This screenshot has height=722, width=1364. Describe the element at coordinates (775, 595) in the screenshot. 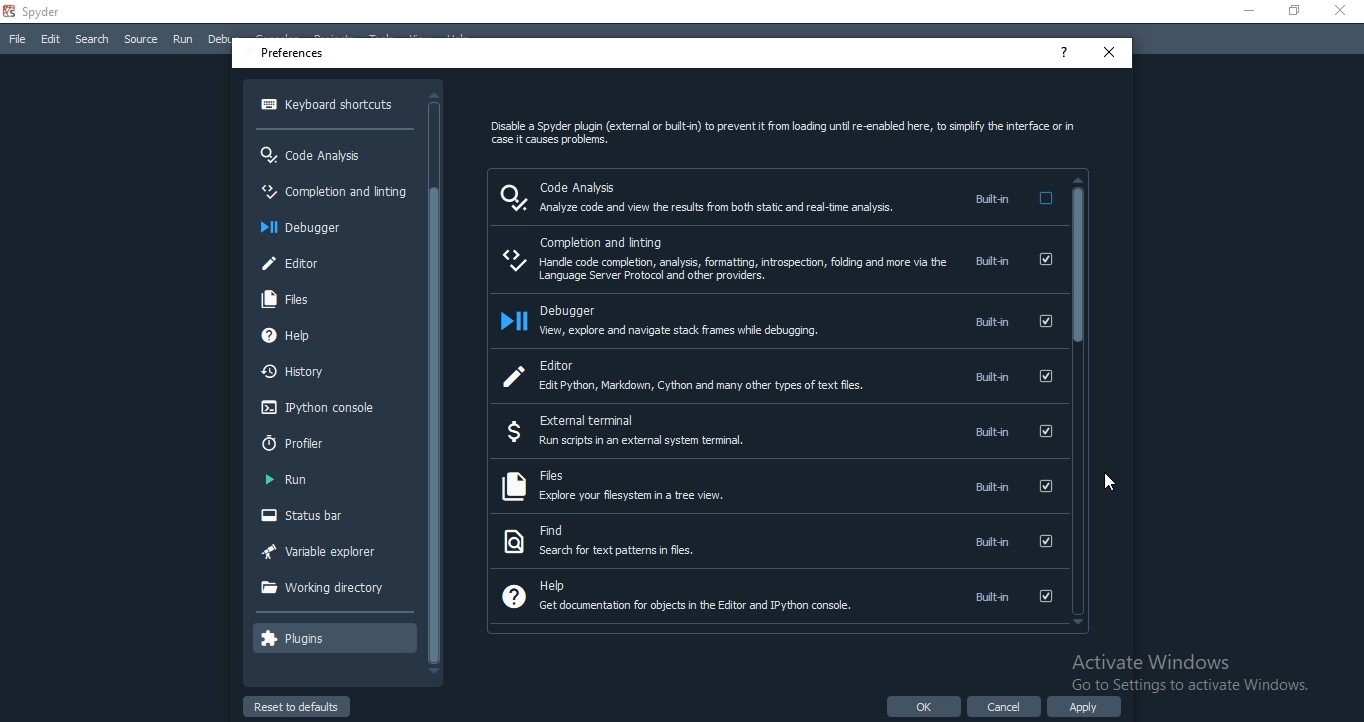

I see `help` at that location.